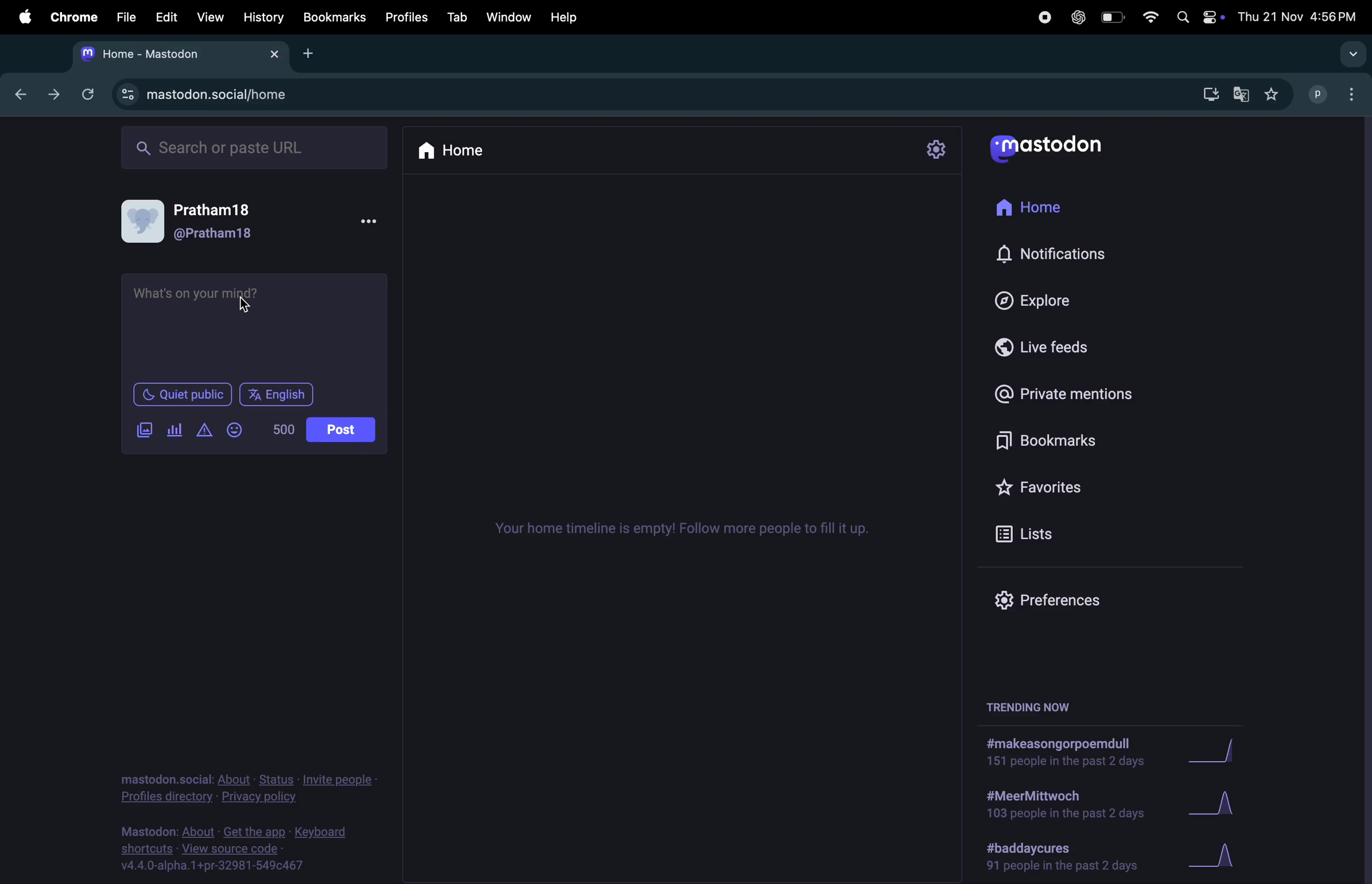 This screenshot has width=1372, height=884. What do you see at coordinates (1111, 19) in the screenshot?
I see `battery` at bounding box center [1111, 19].